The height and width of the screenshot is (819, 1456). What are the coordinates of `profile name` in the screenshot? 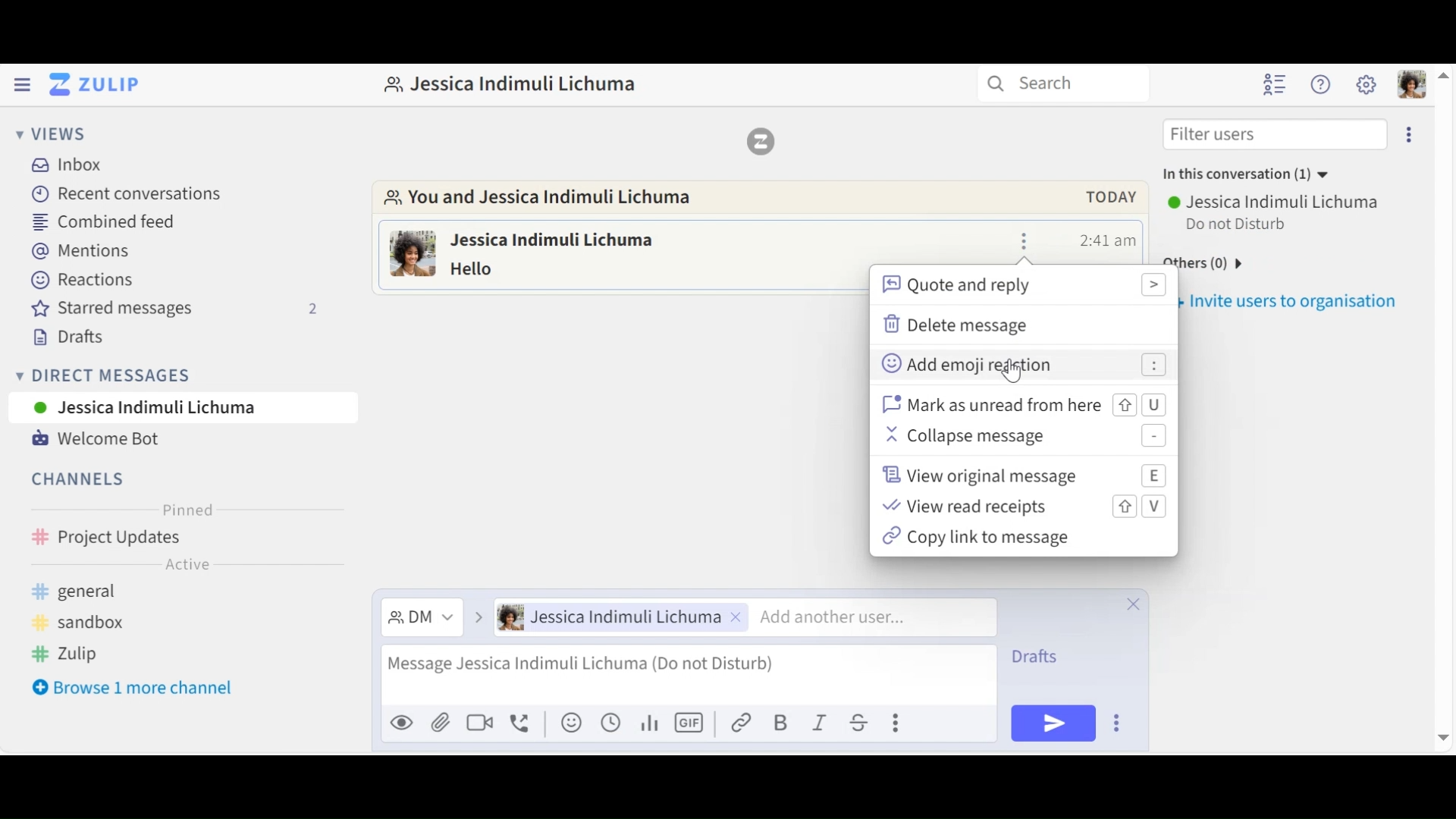 It's located at (510, 83).